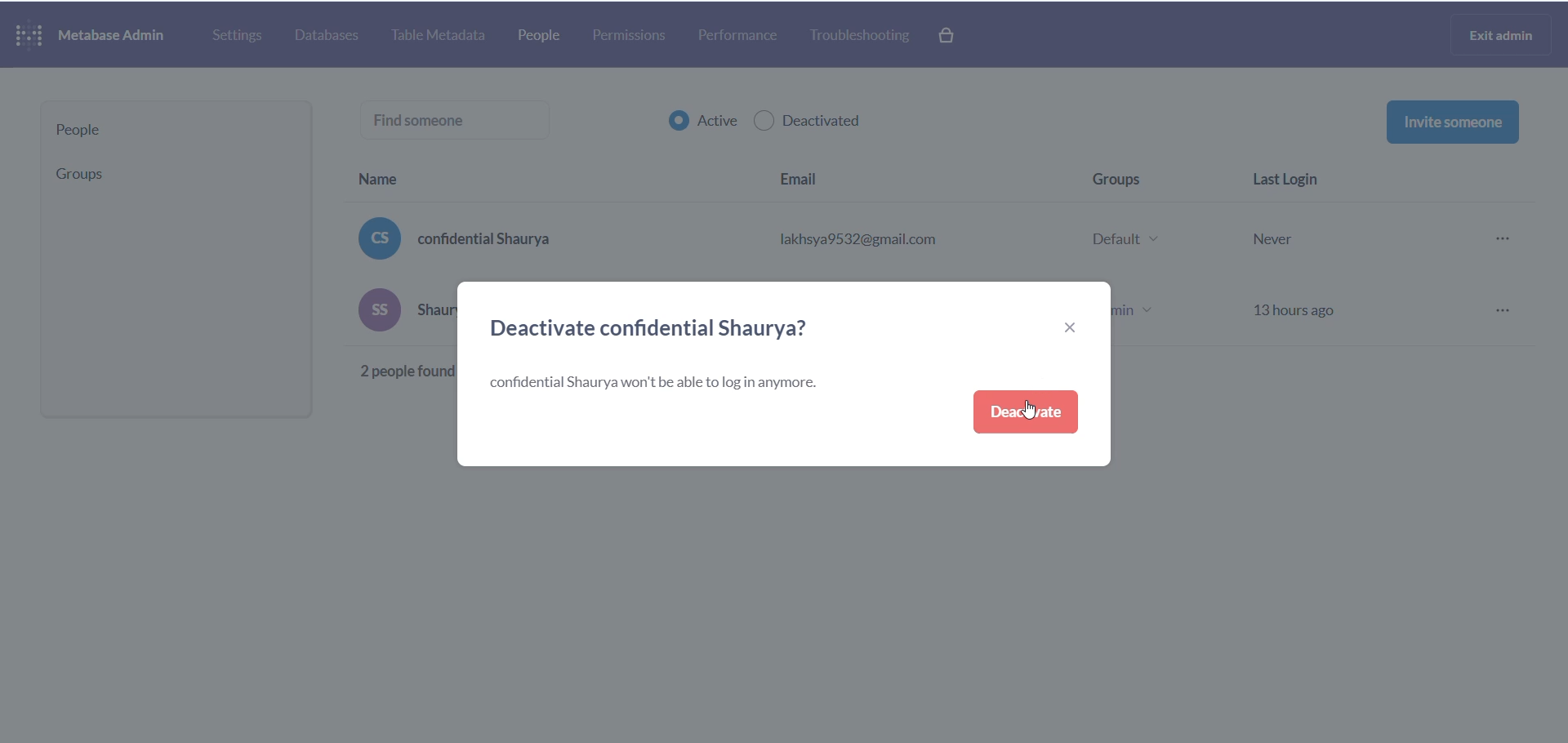  Describe the element at coordinates (403, 370) in the screenshot. I see `` at that location.